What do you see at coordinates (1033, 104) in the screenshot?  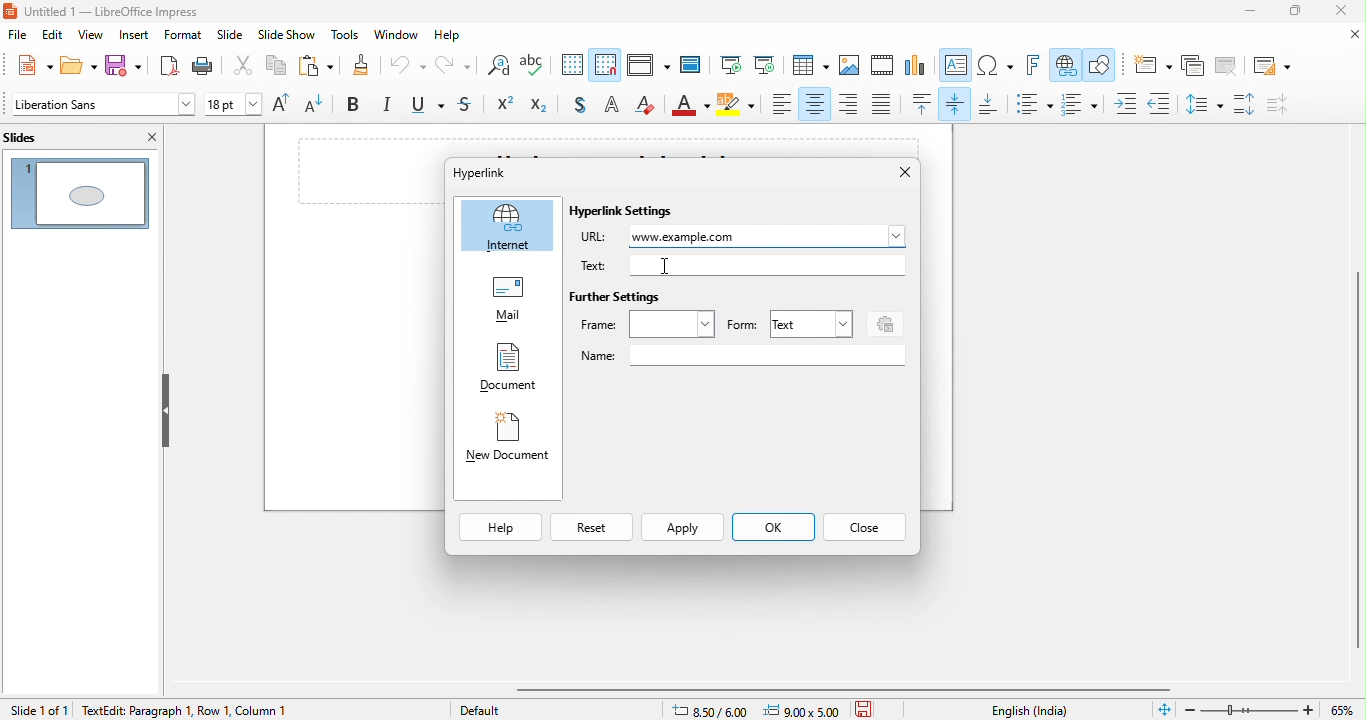 I see `toggle unordered list` at bounding box center [1033, 104].